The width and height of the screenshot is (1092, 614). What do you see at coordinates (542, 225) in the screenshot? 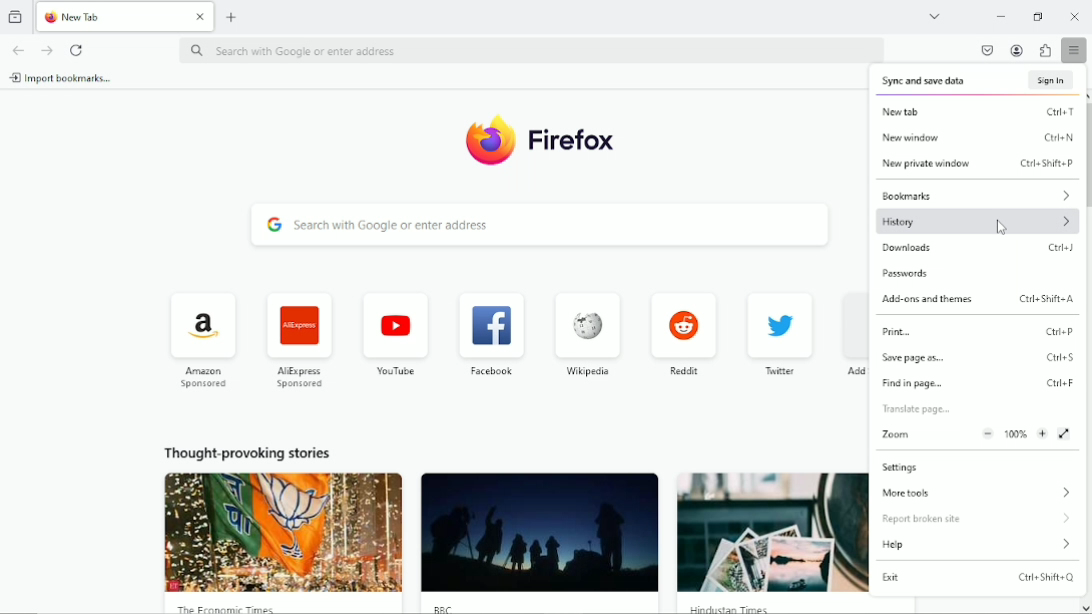
I see `Search with google or enter address` at bounding box center [542, 225].